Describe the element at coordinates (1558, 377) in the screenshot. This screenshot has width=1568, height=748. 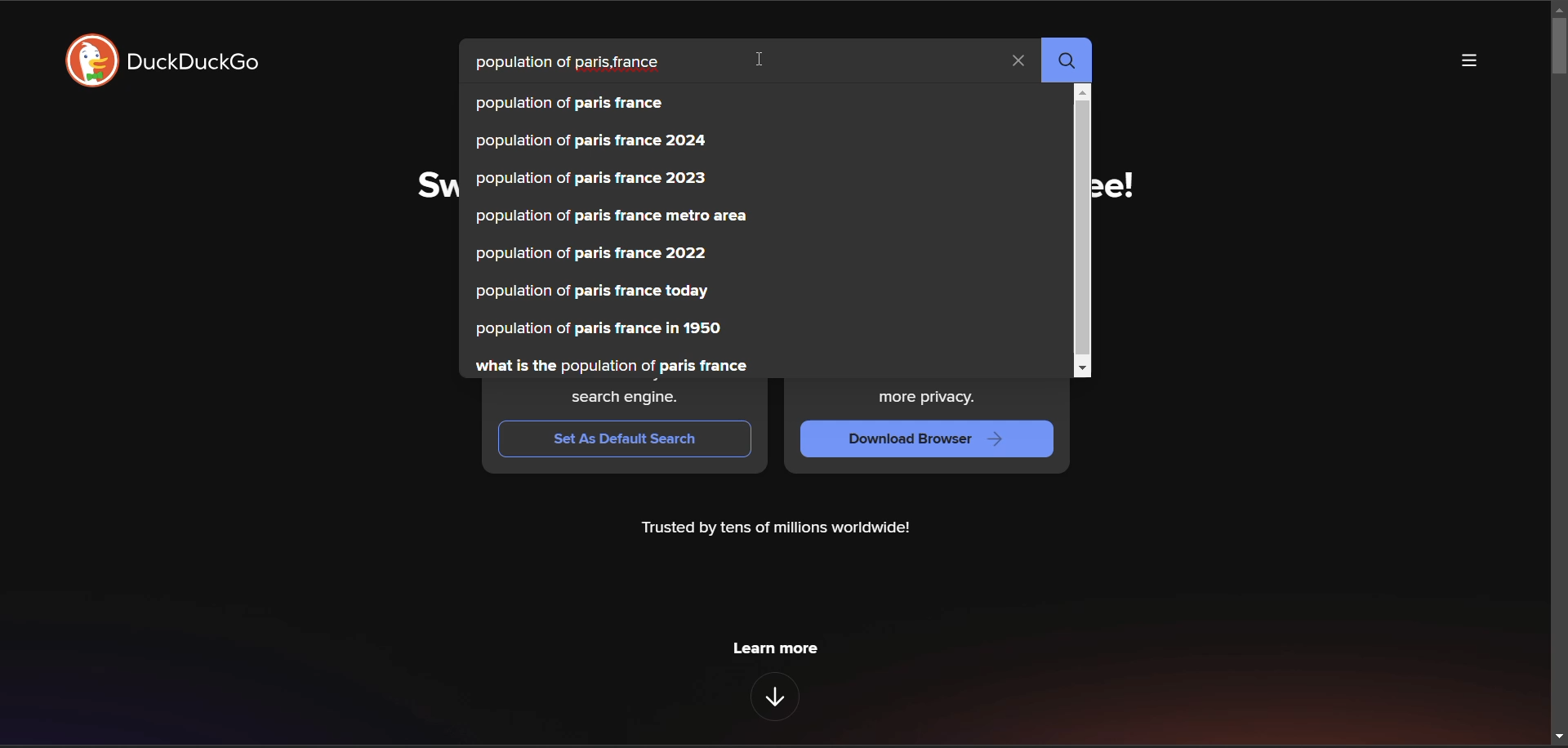
I see `vertical scroll bar` at that location.